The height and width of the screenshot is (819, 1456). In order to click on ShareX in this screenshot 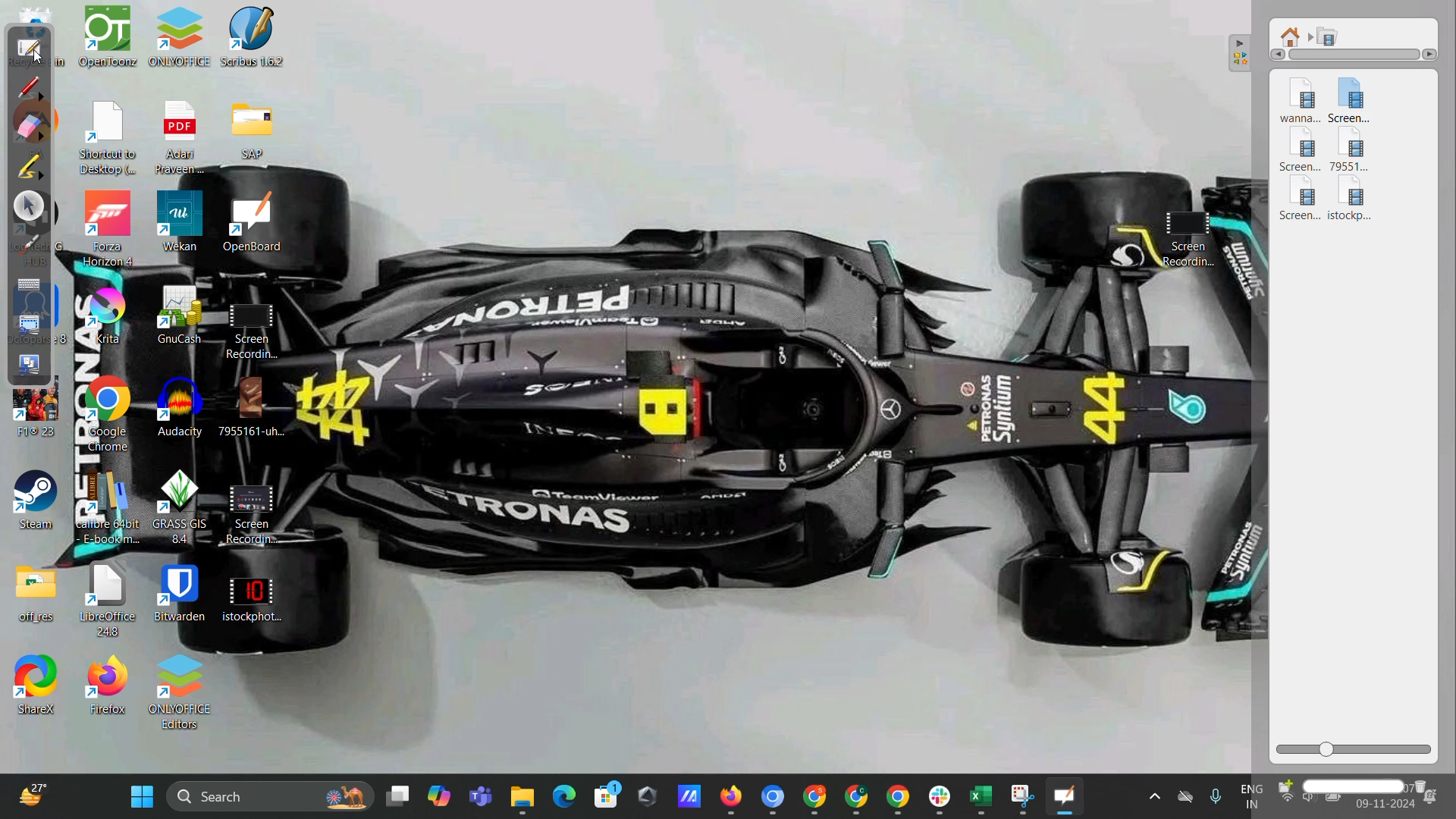, I will do `click(39, 687)`.